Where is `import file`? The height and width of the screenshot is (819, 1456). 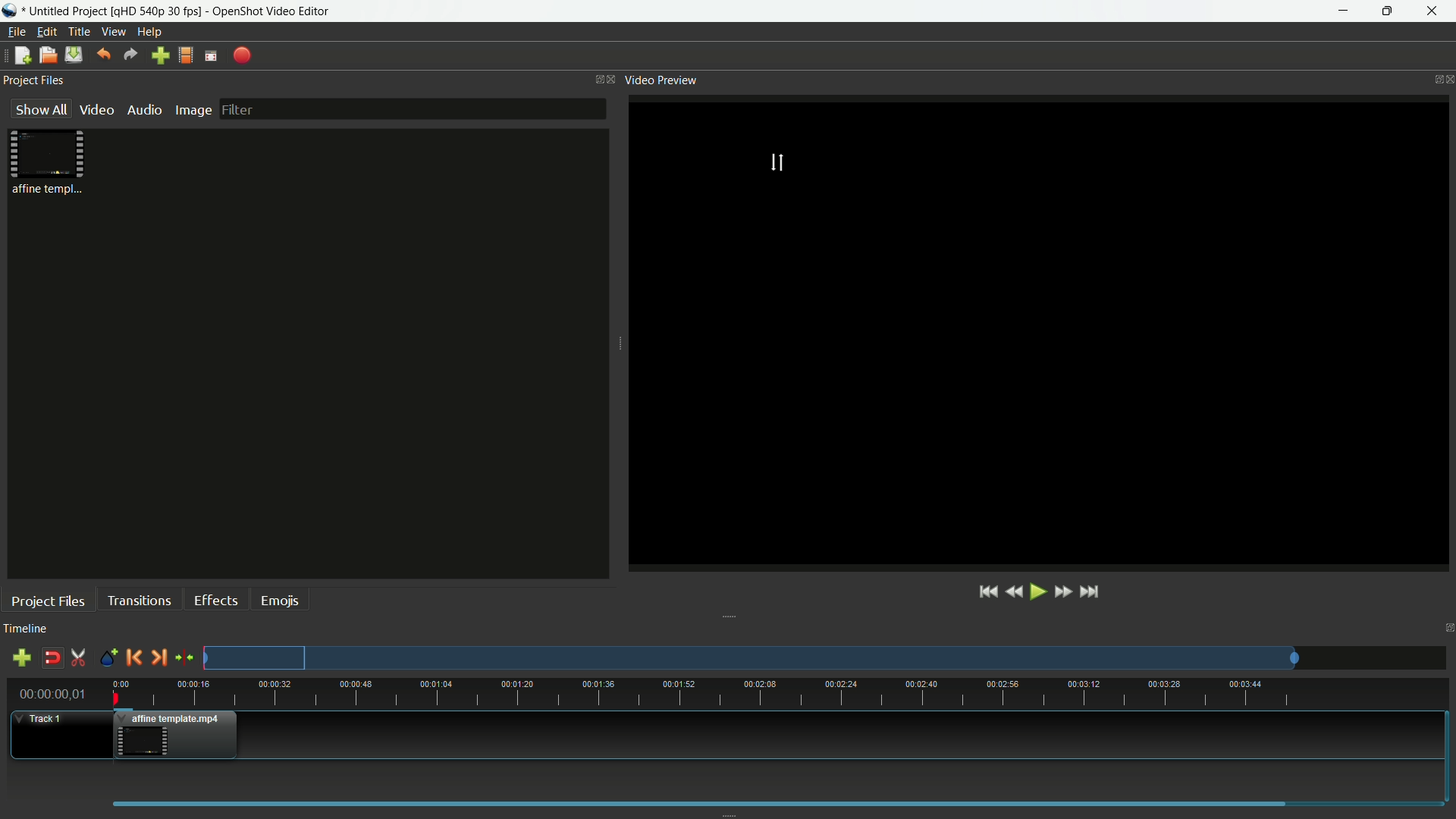
import file is located at coordinates (161, 55).